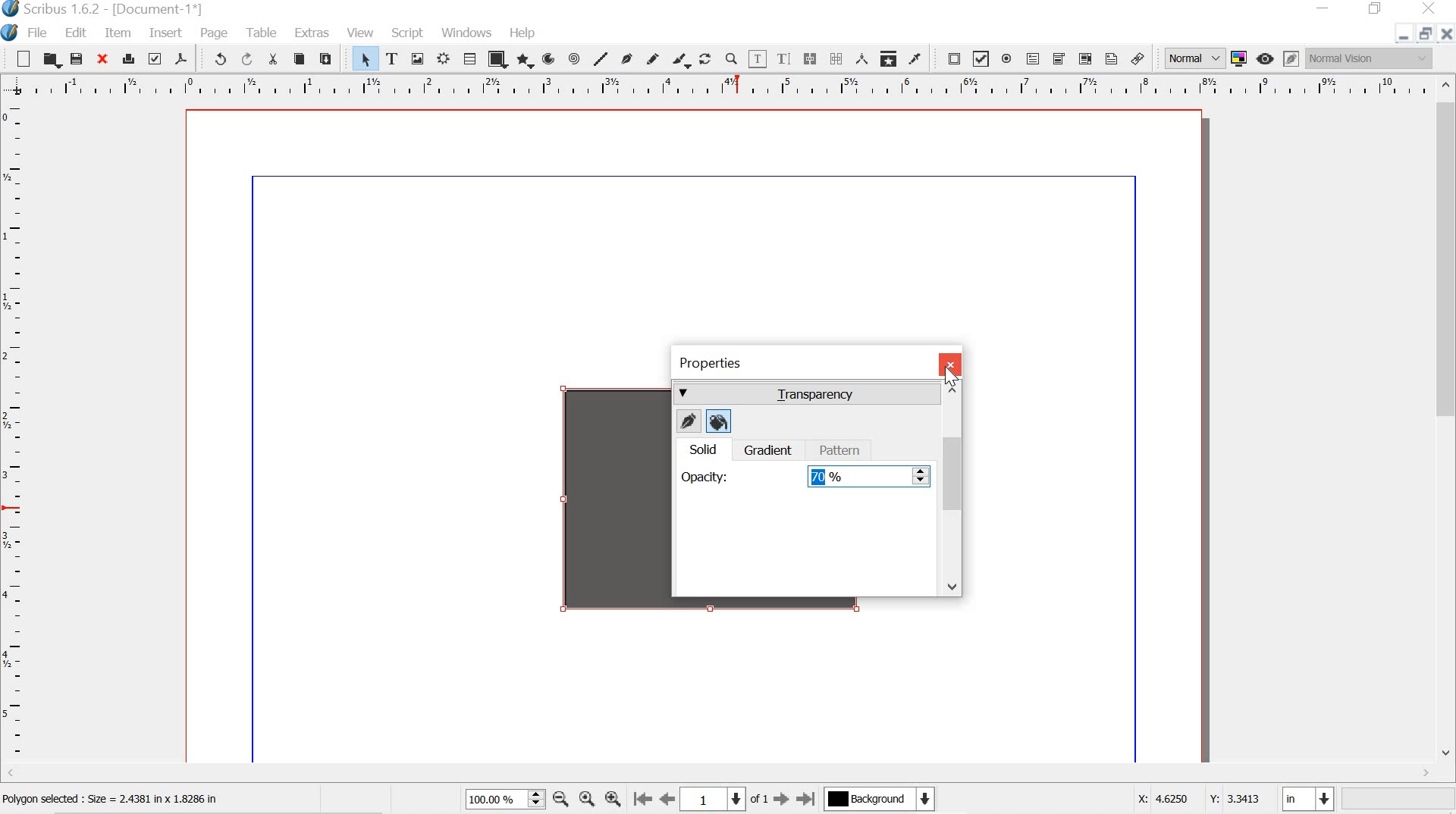 Image resolution: width=1456 pixels, height=814 pixels. What do you see at coordinates (879, 800) in the screenshot?
I see `Background` at bounding box center [879, 800].